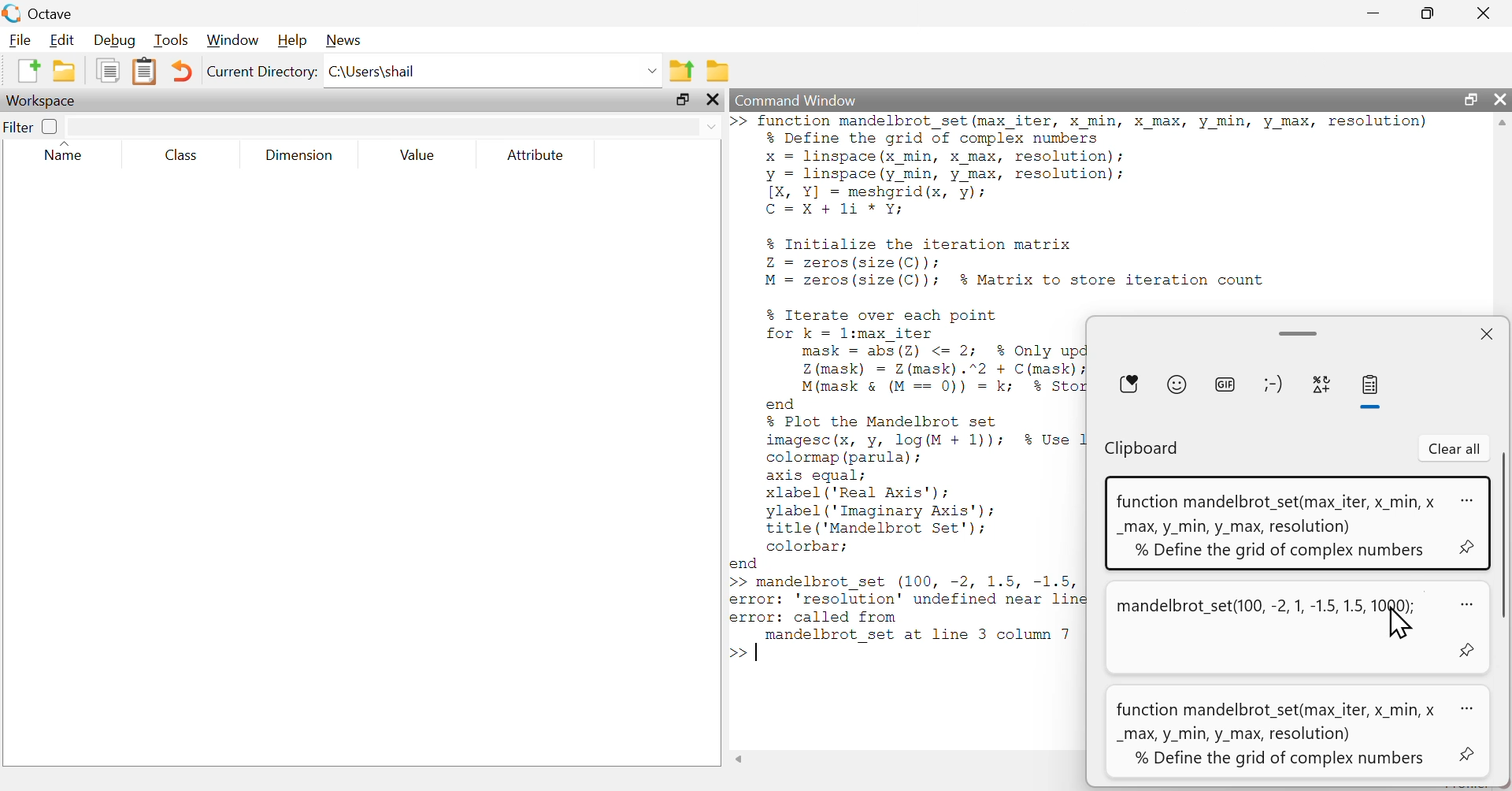  What do you see at coordinates (740, 758) in the screenshot?
I see `Scrollbar left` at bounding box center [740, 758].